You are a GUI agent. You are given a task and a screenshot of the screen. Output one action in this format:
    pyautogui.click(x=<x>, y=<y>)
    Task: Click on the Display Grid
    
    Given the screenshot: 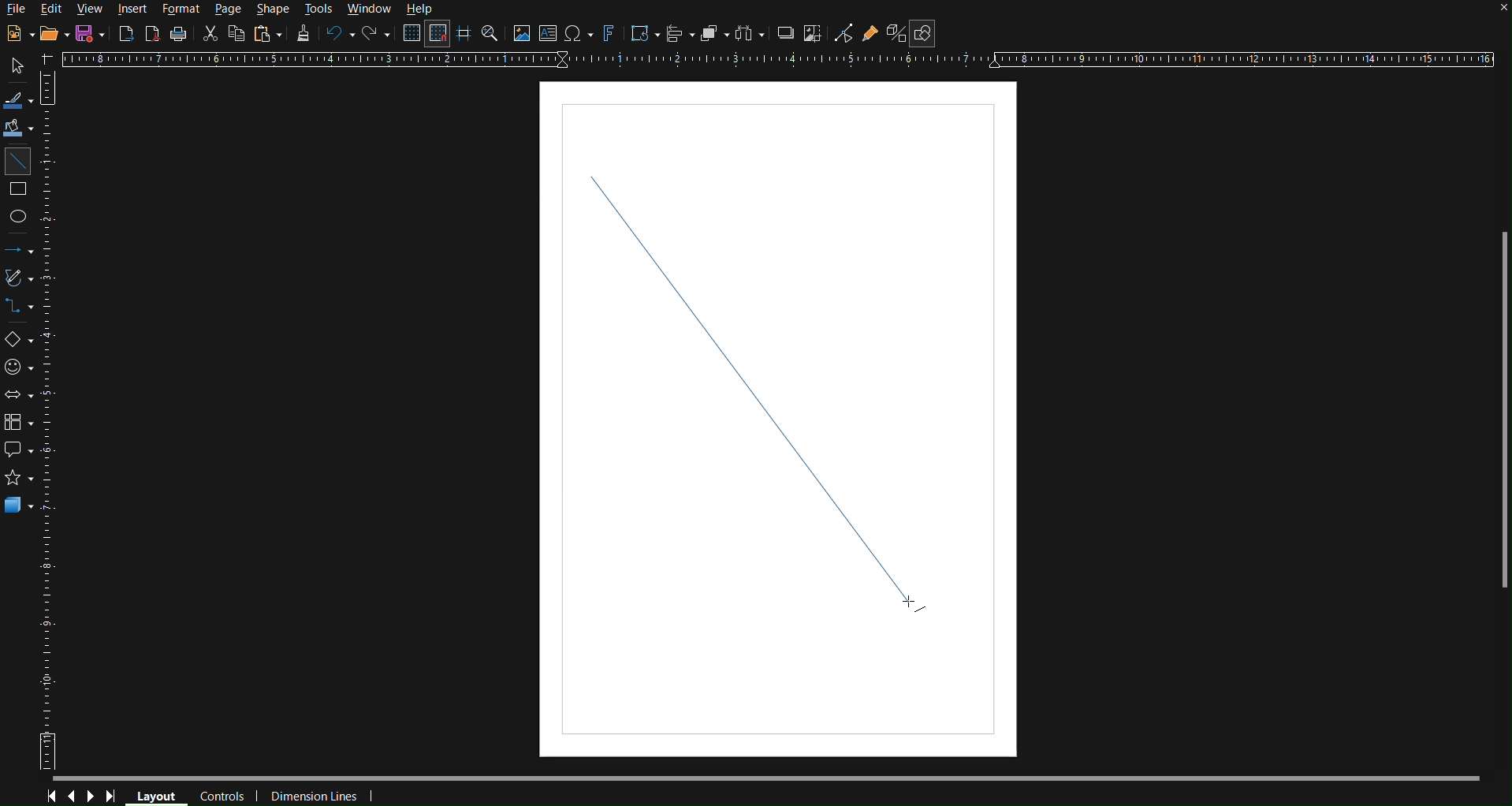 What is the action you would take?
    pyautogui.click(x=410, y=33)
    